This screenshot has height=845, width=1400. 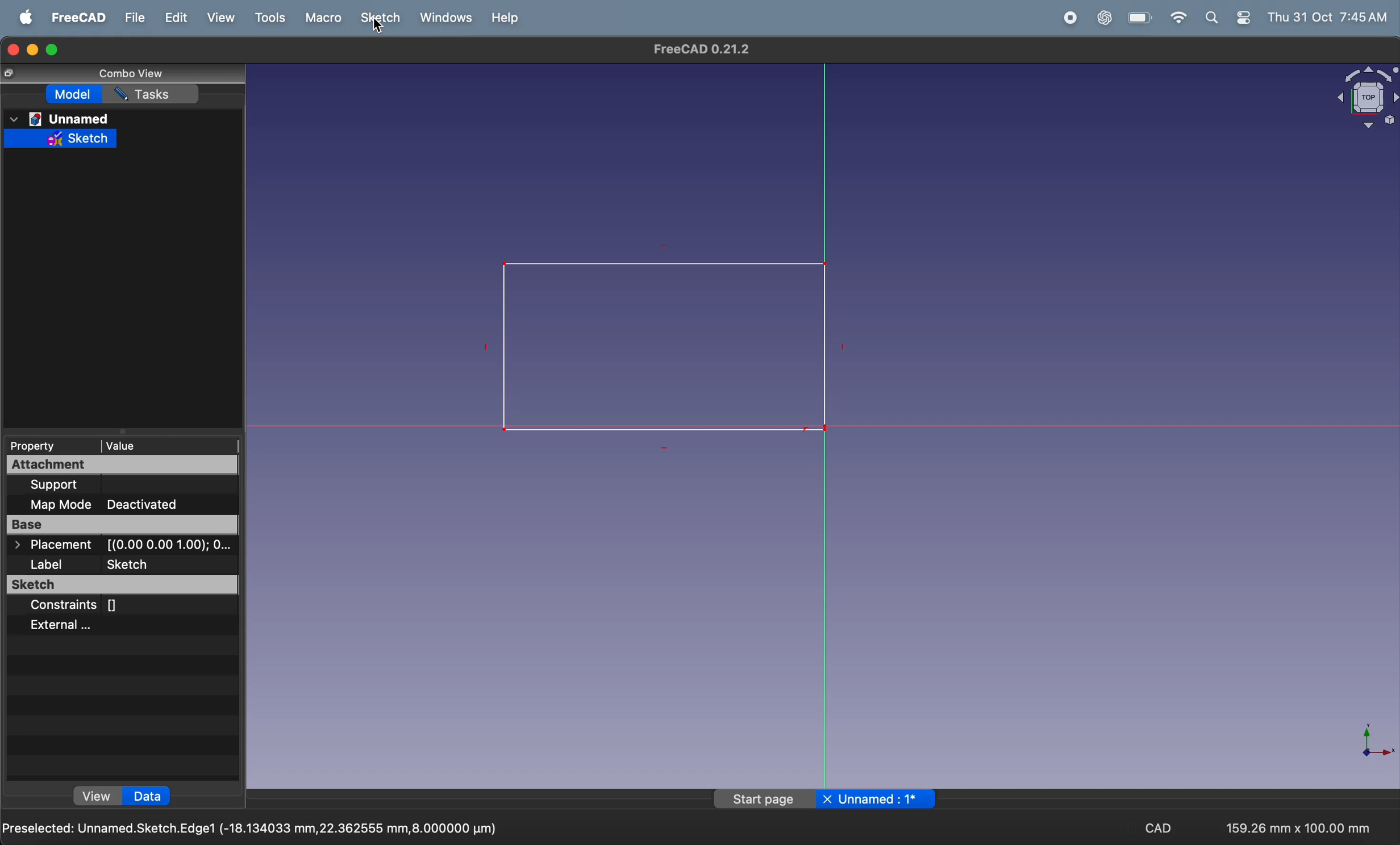 What do you see at coordinates (1176, 18) in the screenshot?
I see `wifi` at bounding box center [1176, 18].